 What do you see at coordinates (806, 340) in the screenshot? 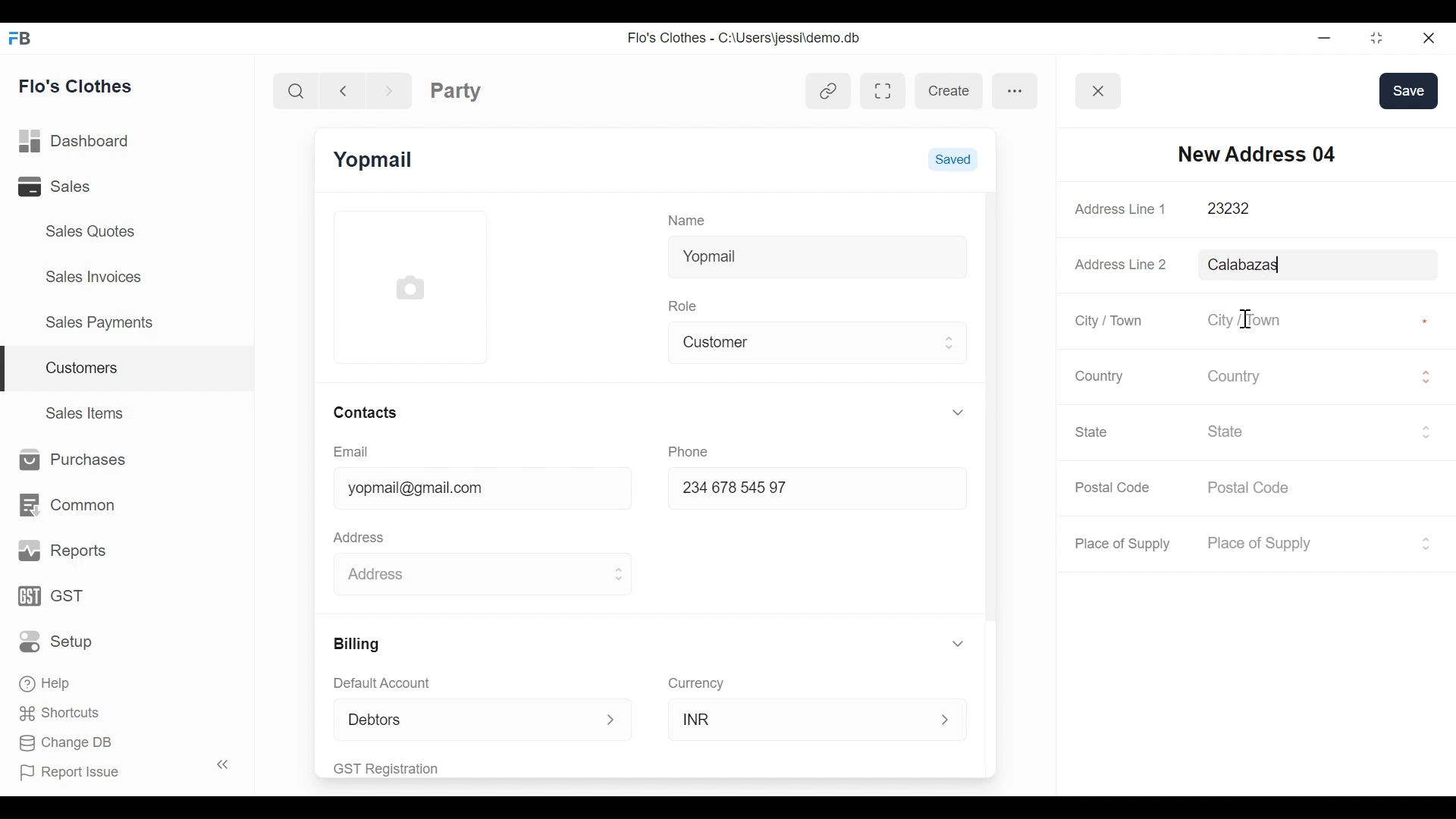
I see `Customer` at bounding box center [806, 340].